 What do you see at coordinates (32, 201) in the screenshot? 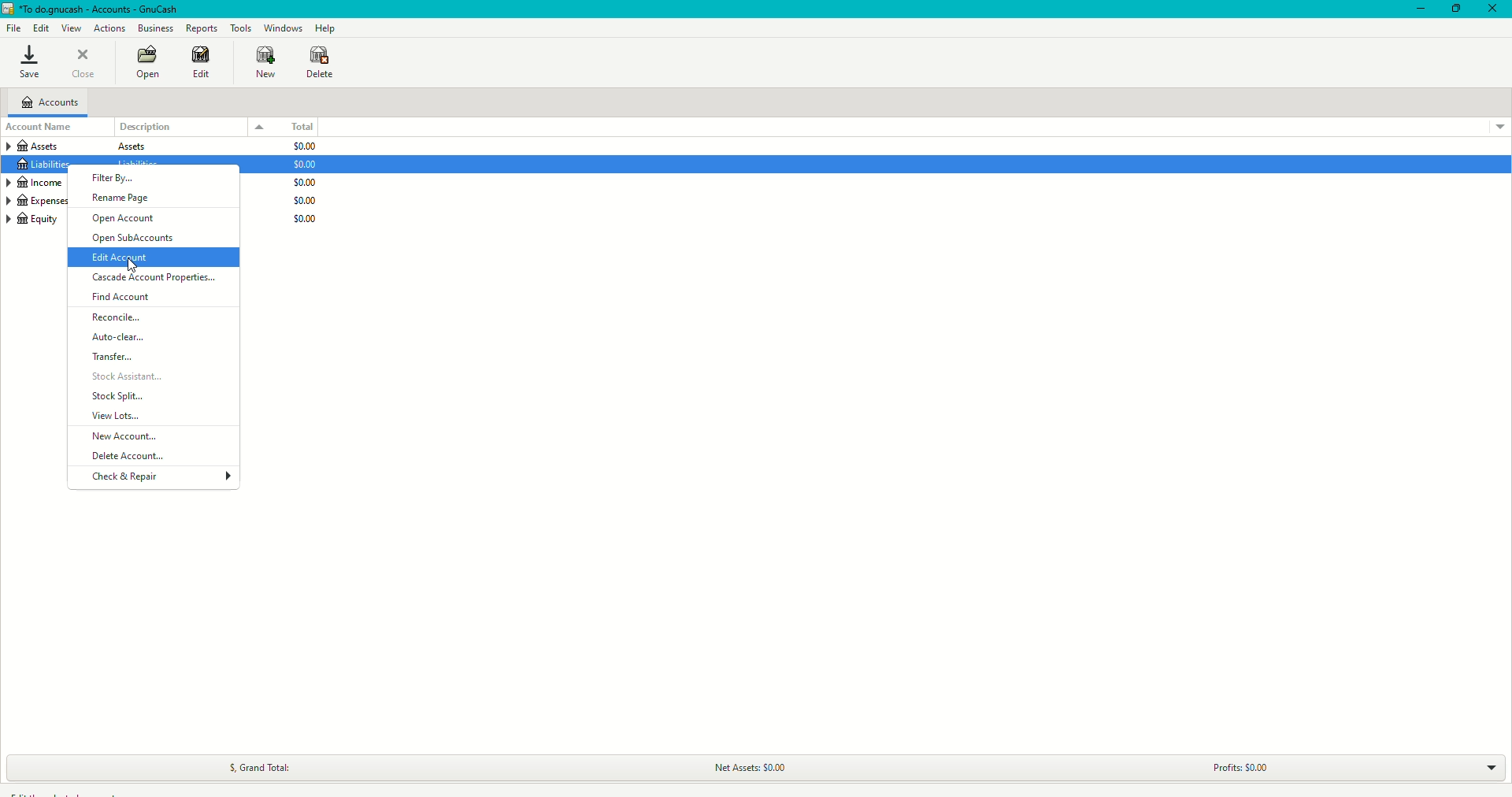
I see `Expenses` at bounding box center [32, 201].